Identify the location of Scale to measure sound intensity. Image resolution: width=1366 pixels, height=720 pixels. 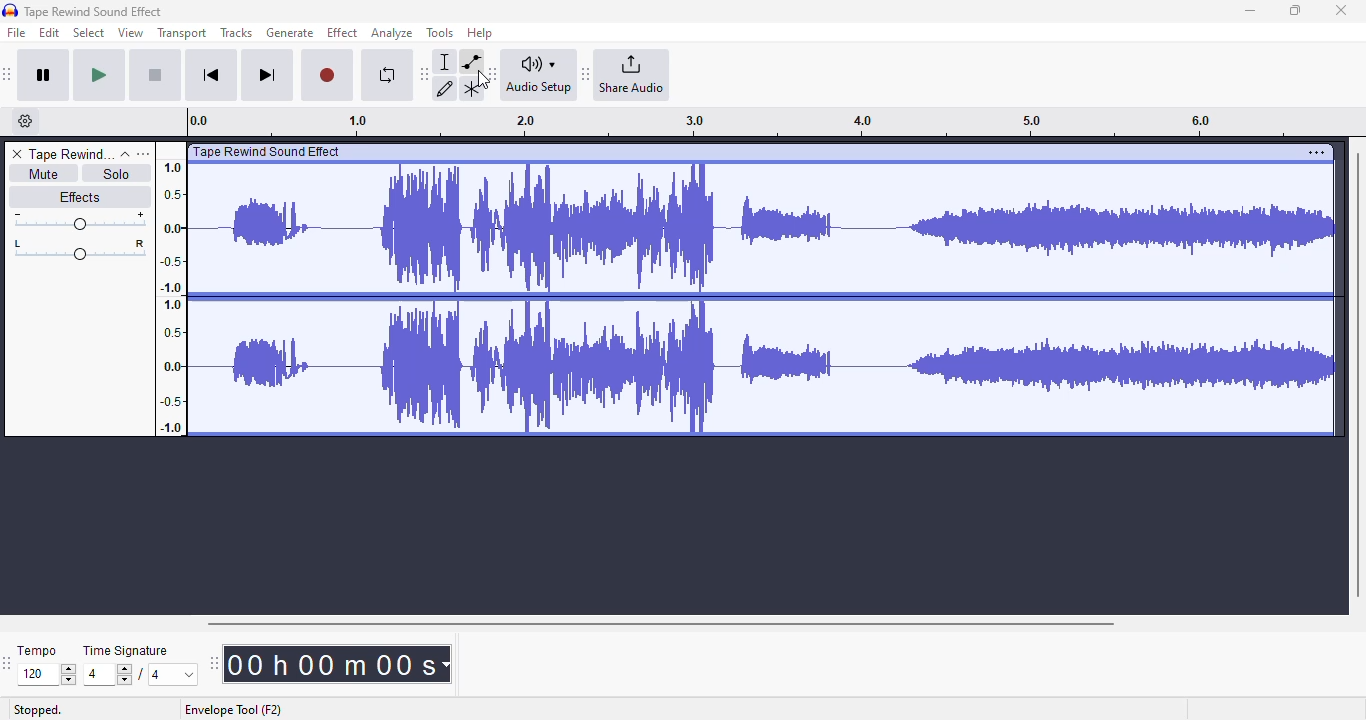
(172, 296).